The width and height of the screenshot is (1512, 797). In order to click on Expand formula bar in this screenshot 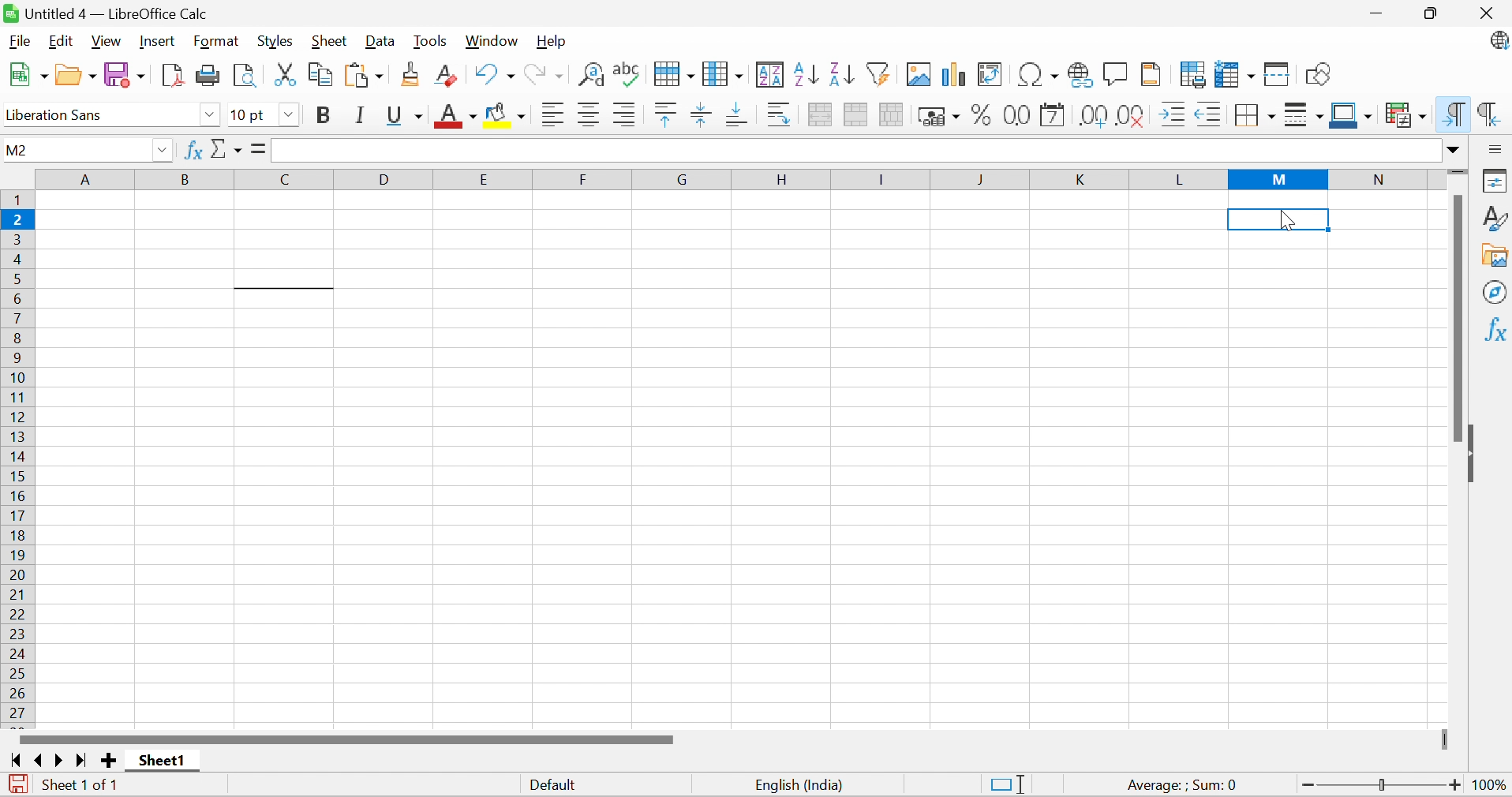, I will do `click(1454, 150)`.